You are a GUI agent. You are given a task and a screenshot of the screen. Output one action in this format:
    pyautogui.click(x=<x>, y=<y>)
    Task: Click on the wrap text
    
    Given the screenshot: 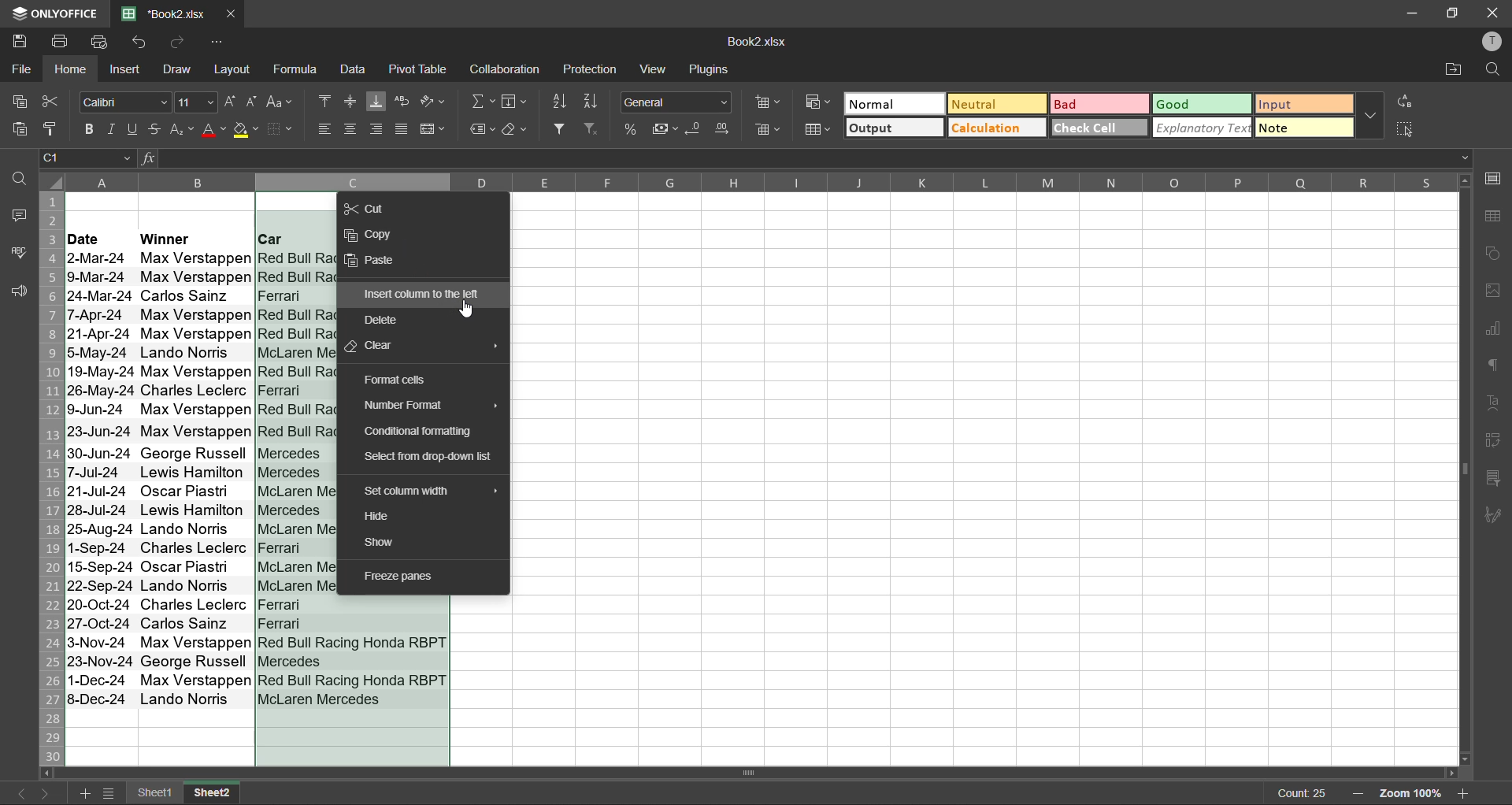 What is the action you would take?
    pyautogui.click(x=402, y=101)
    